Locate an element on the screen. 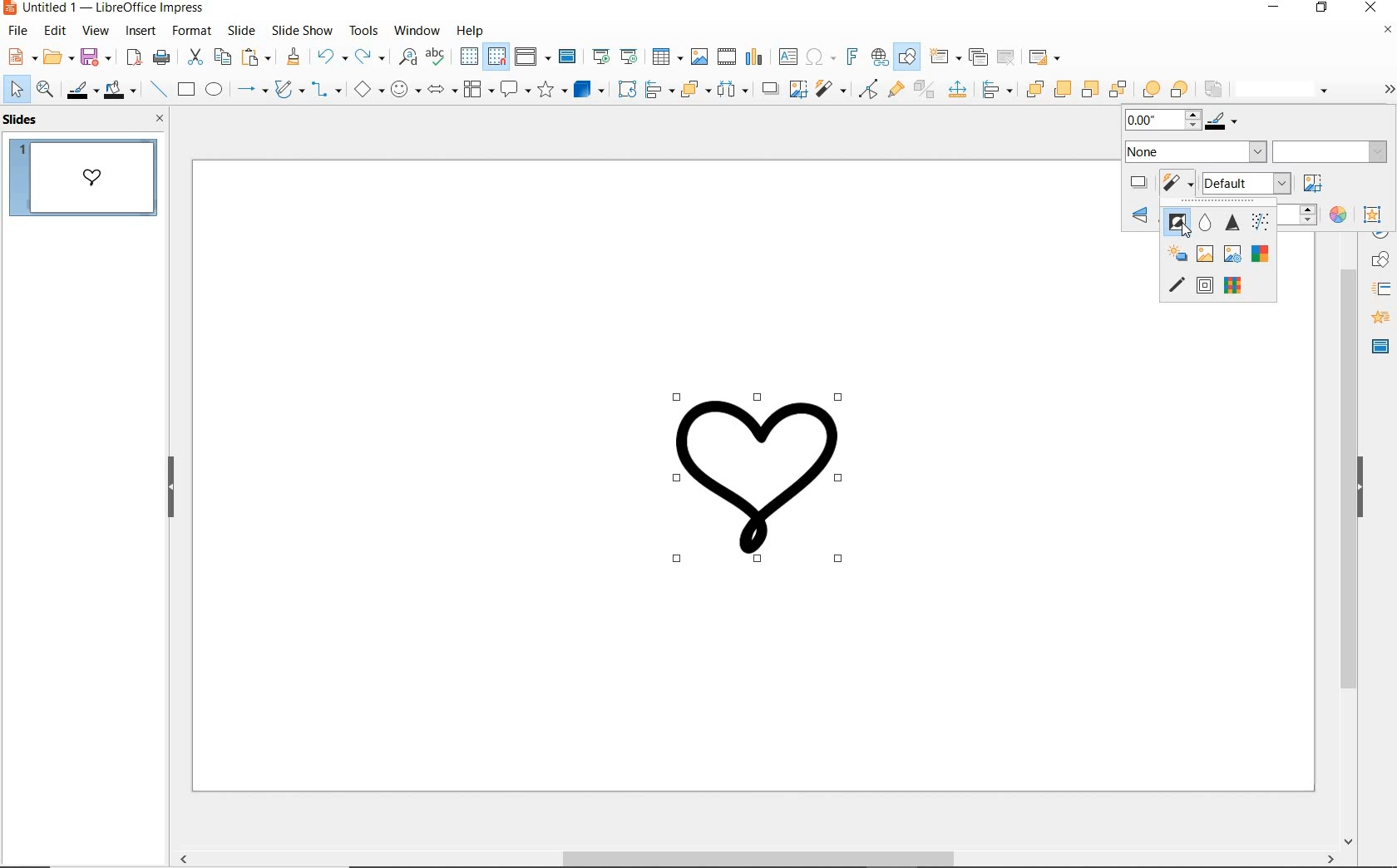 This screenshot has height=868, width=1397. copy is located at coordinates (221, 57).